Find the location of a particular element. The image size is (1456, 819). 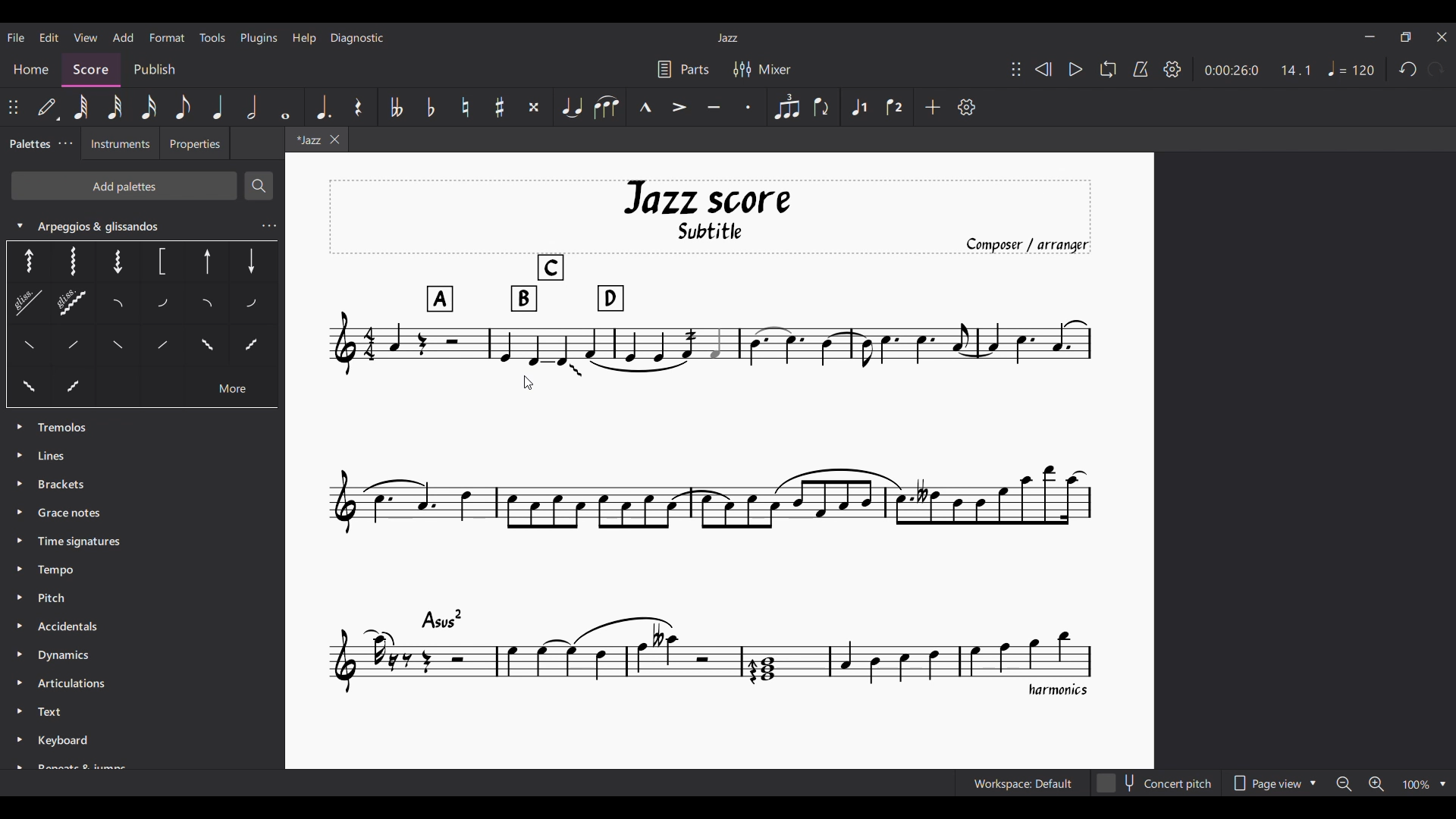

Close interface is located at coordinates (1442, 37).